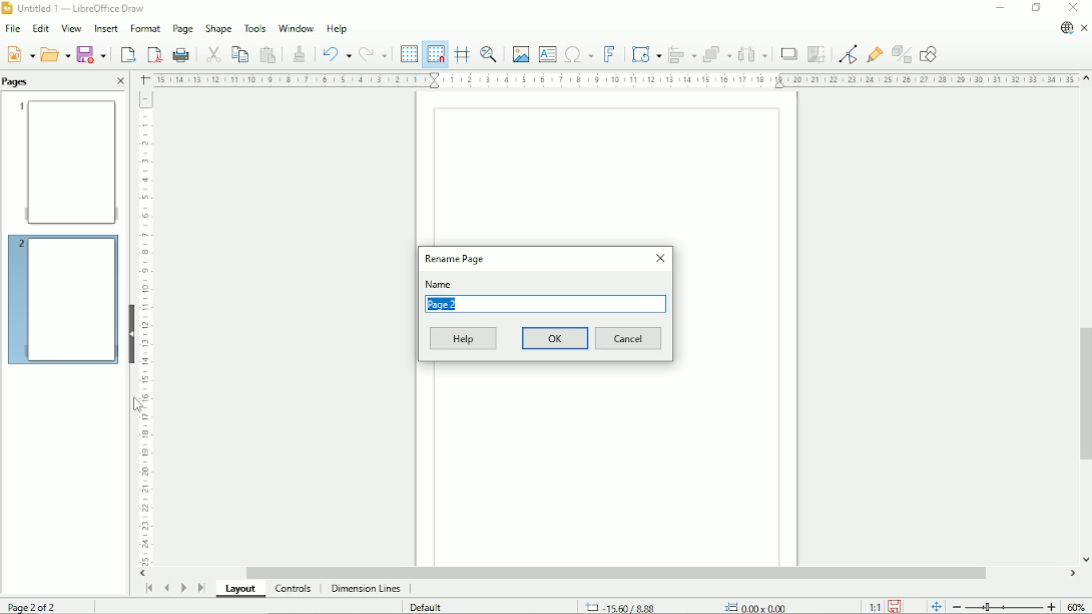 Image resolution: width=1092 pixels, height=614 pixels. I want to click on Page 2 of 2, so click(36, 605).